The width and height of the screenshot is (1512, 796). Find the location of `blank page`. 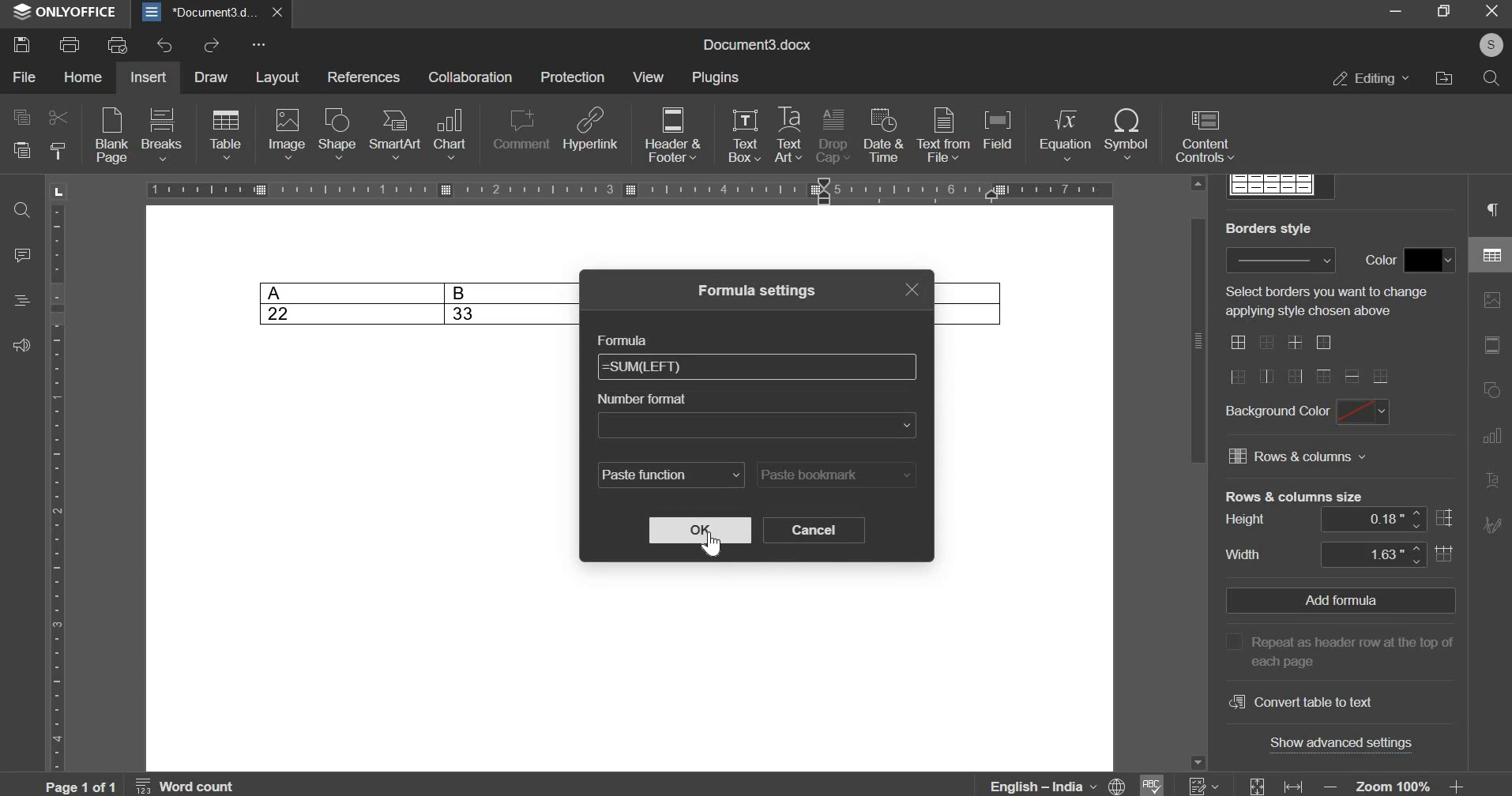

blank page is located at coordinates (110, 137).